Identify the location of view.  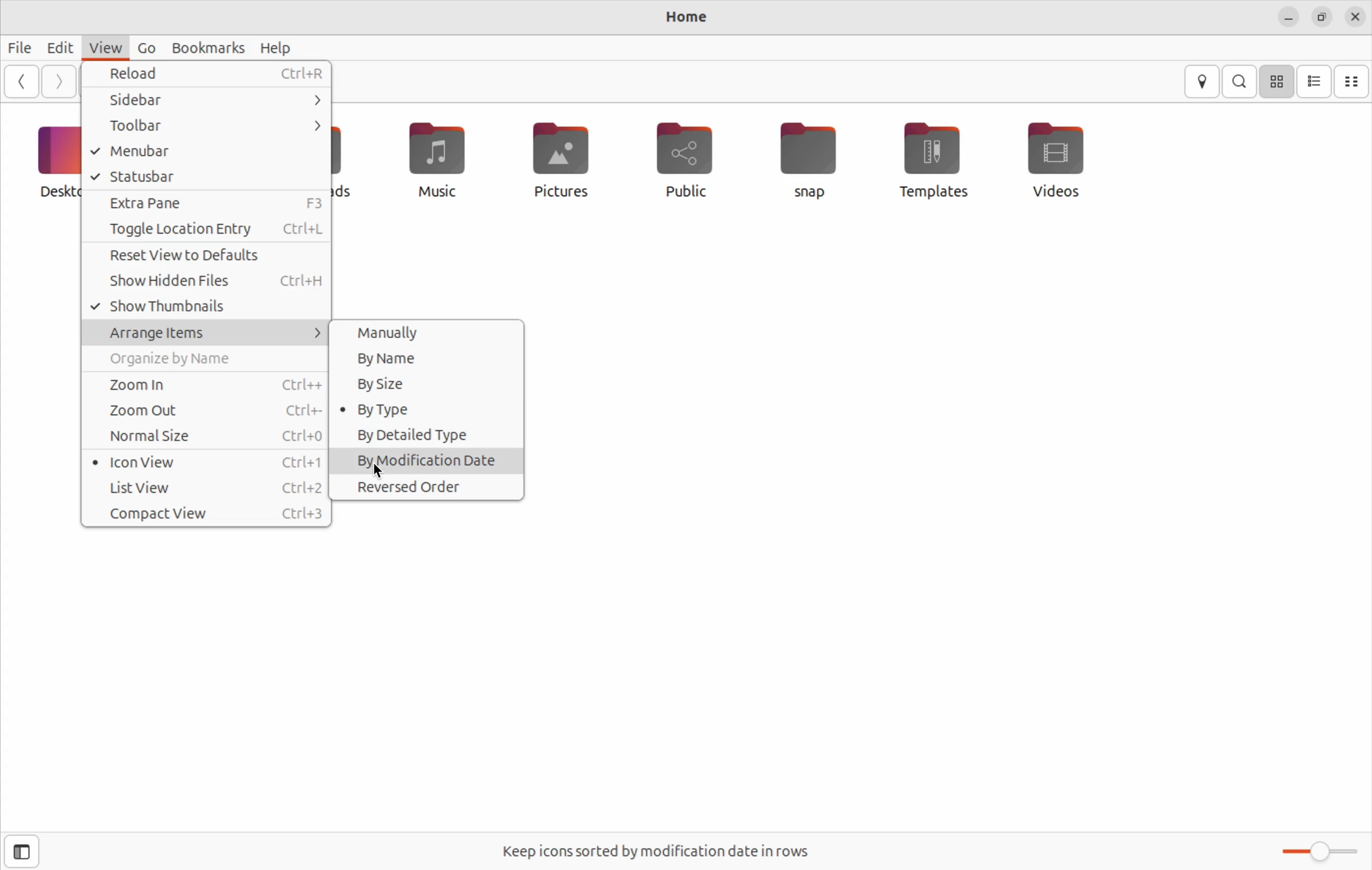
(104, 46).